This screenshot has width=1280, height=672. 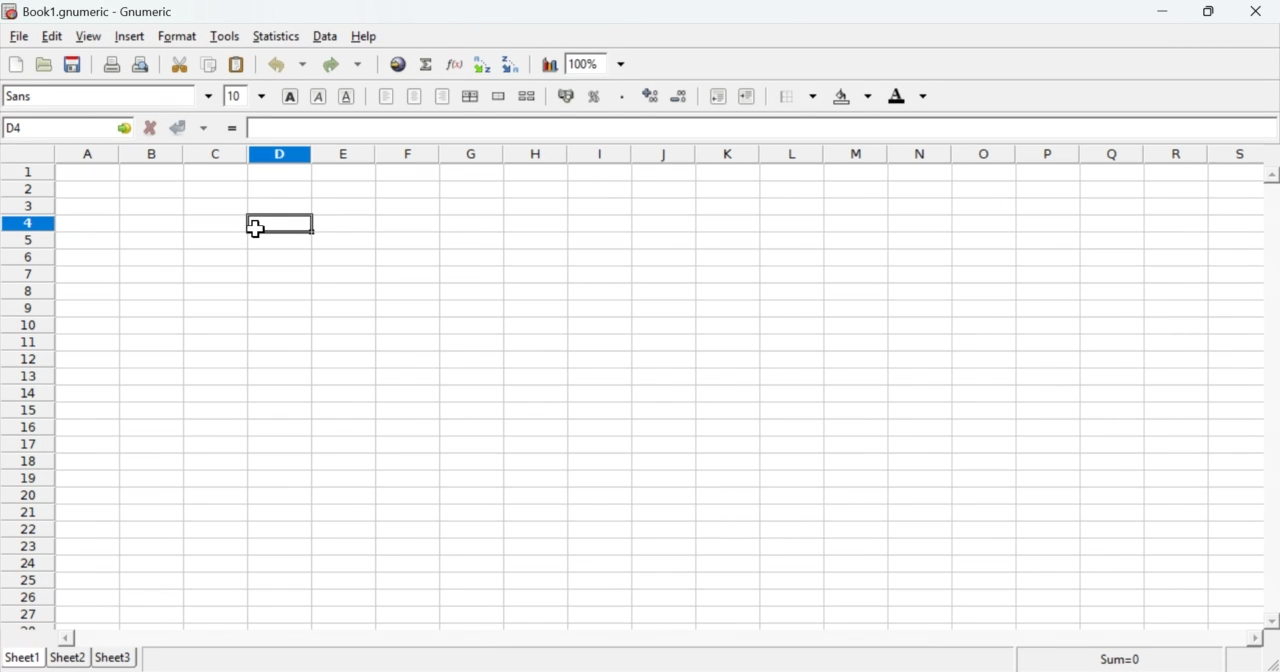 I want to click on Cut, so click(x=180, y=65).